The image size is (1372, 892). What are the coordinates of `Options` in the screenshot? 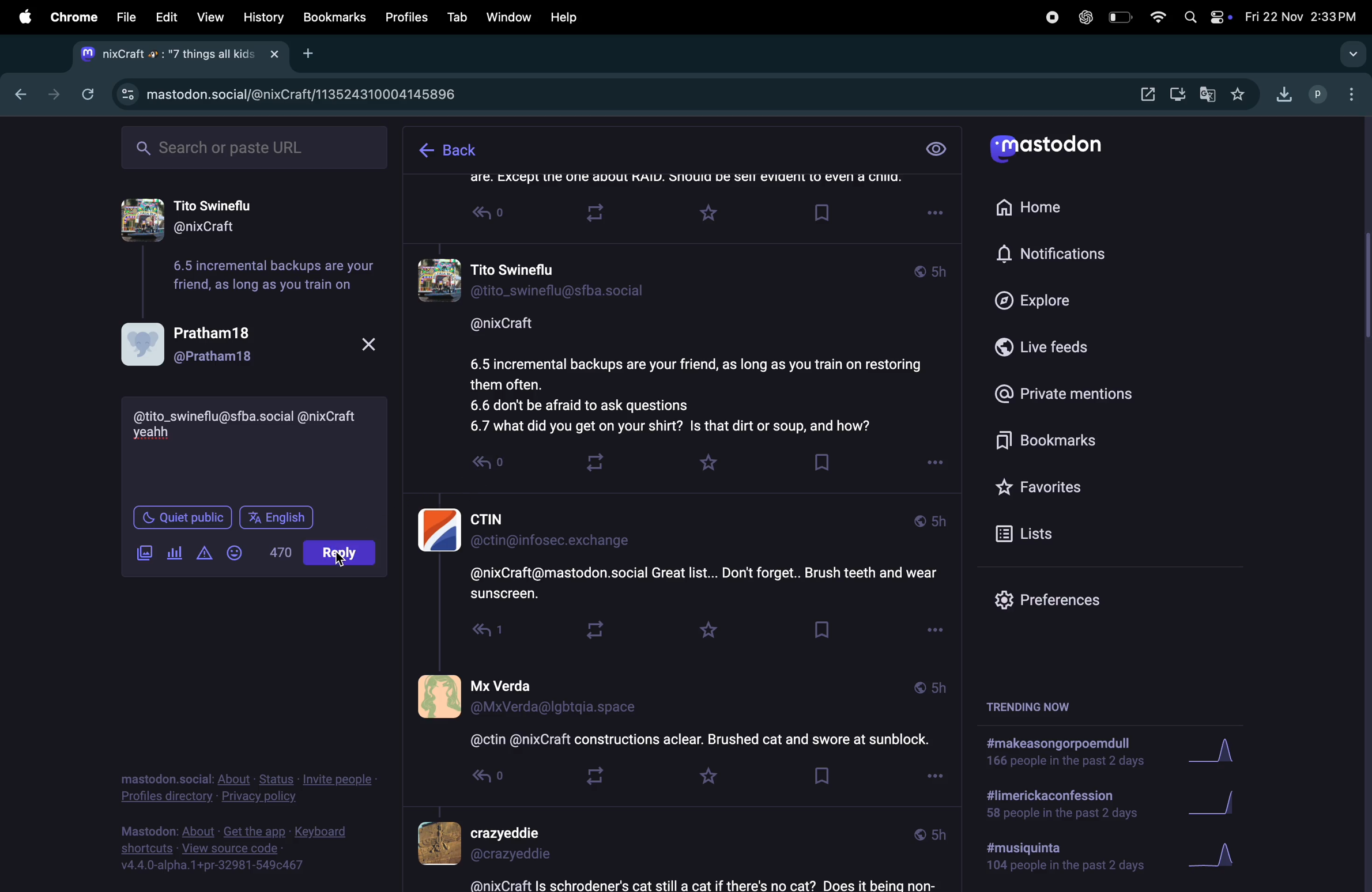 It's located at (930, 630).